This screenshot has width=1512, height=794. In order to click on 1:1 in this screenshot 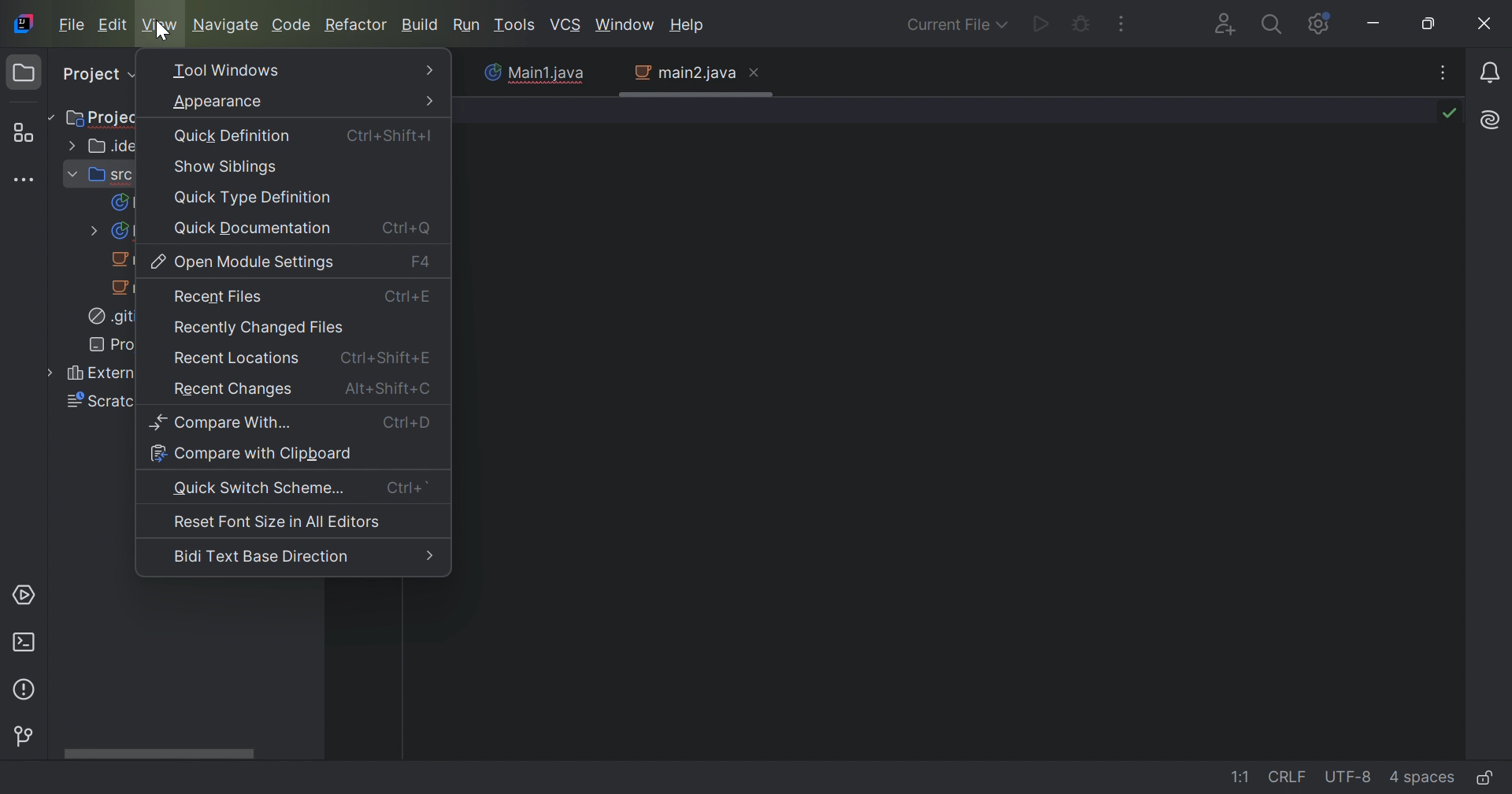, I will do `click(1240, 777)`.